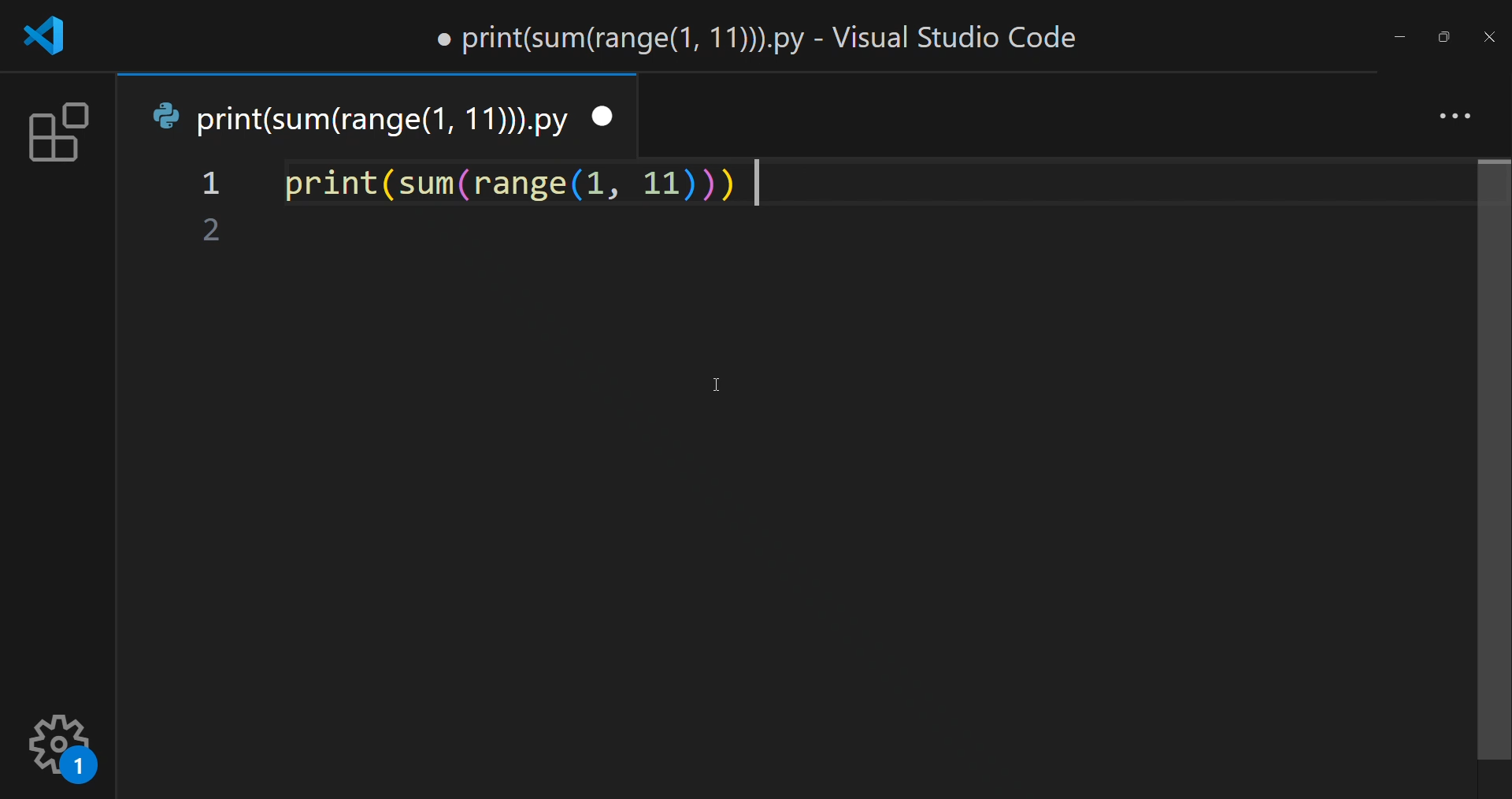 The image size is (1512, 799). Describe the element at coordinates (51, 36) in the screenshot. I see `logo` at that location.